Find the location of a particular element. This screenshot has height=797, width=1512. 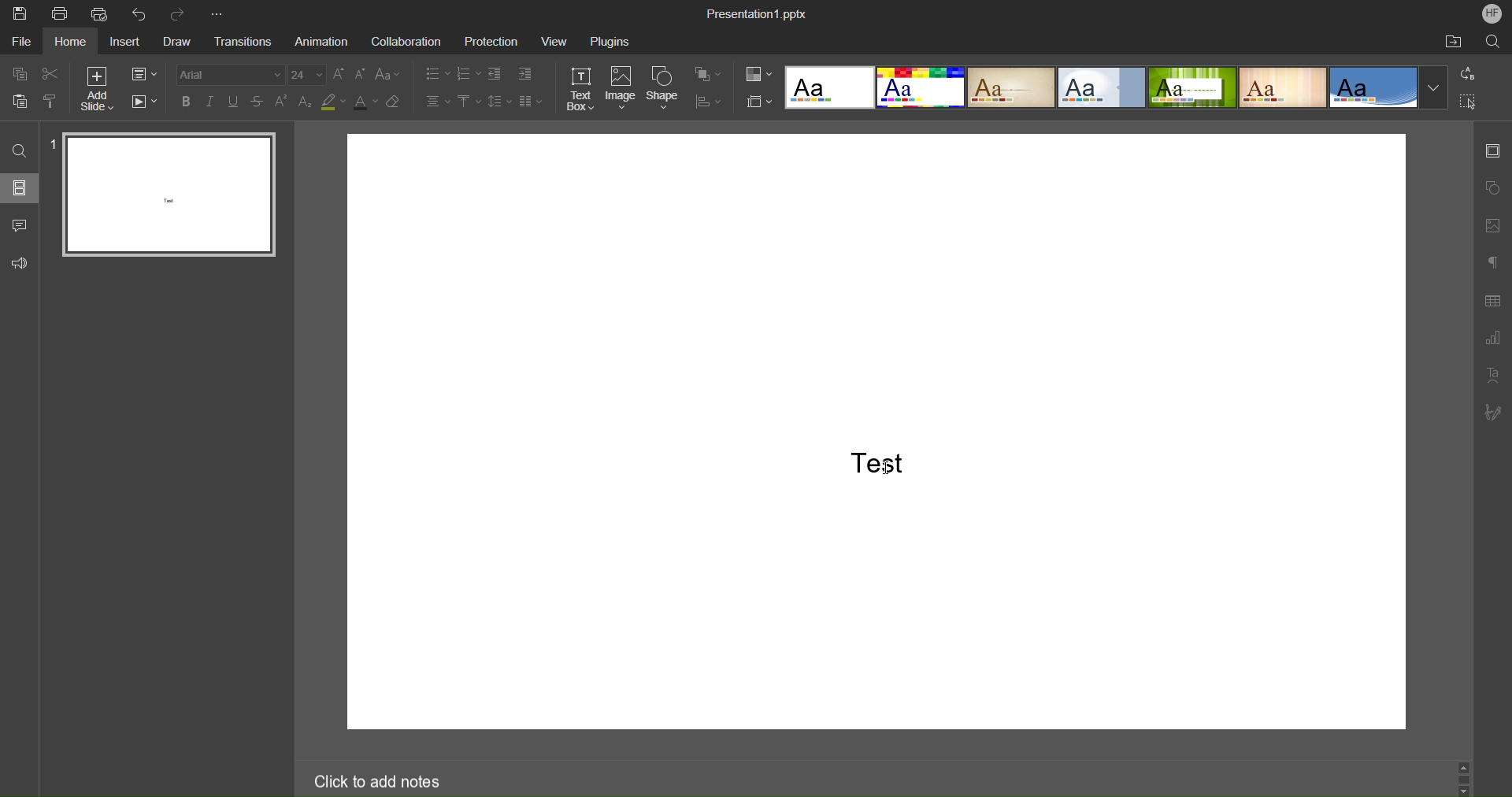

Text Case is located at coordinates (389, 74).